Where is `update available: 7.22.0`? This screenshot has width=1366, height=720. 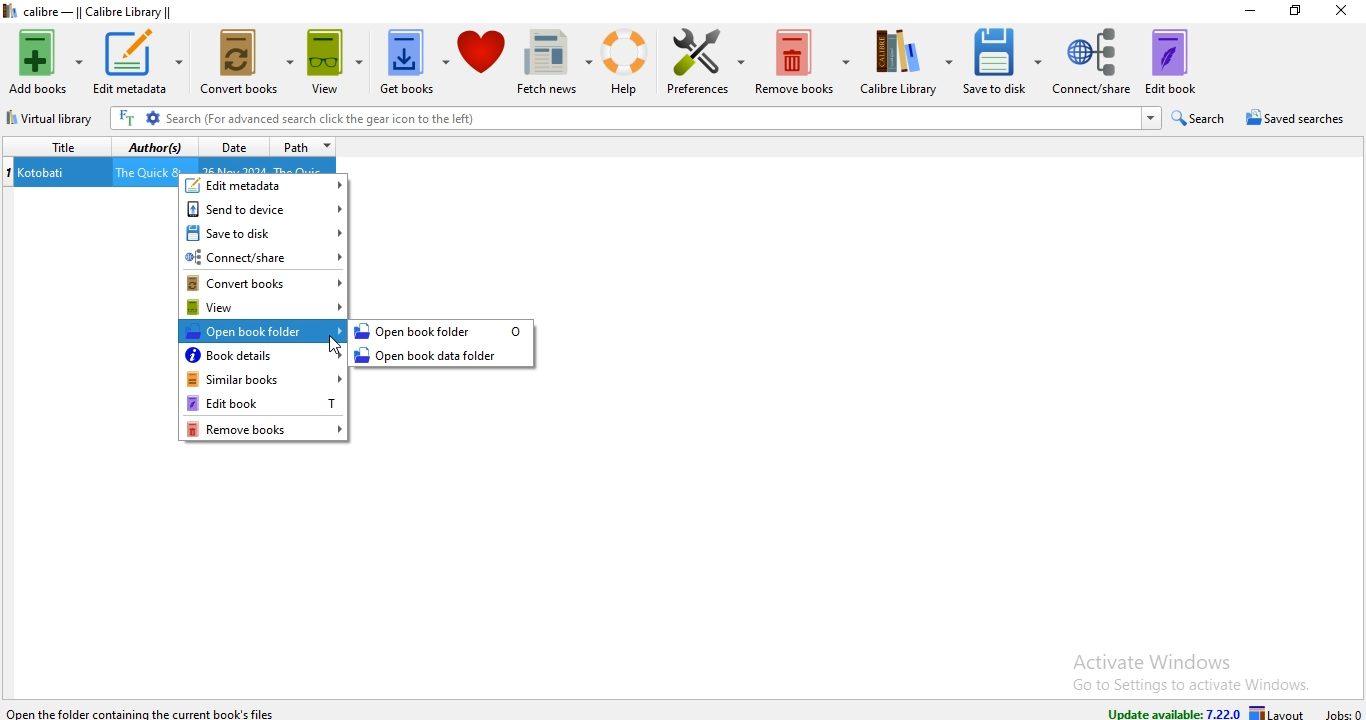
update available: 7.22.0 is located at coordinates (1172, 710).